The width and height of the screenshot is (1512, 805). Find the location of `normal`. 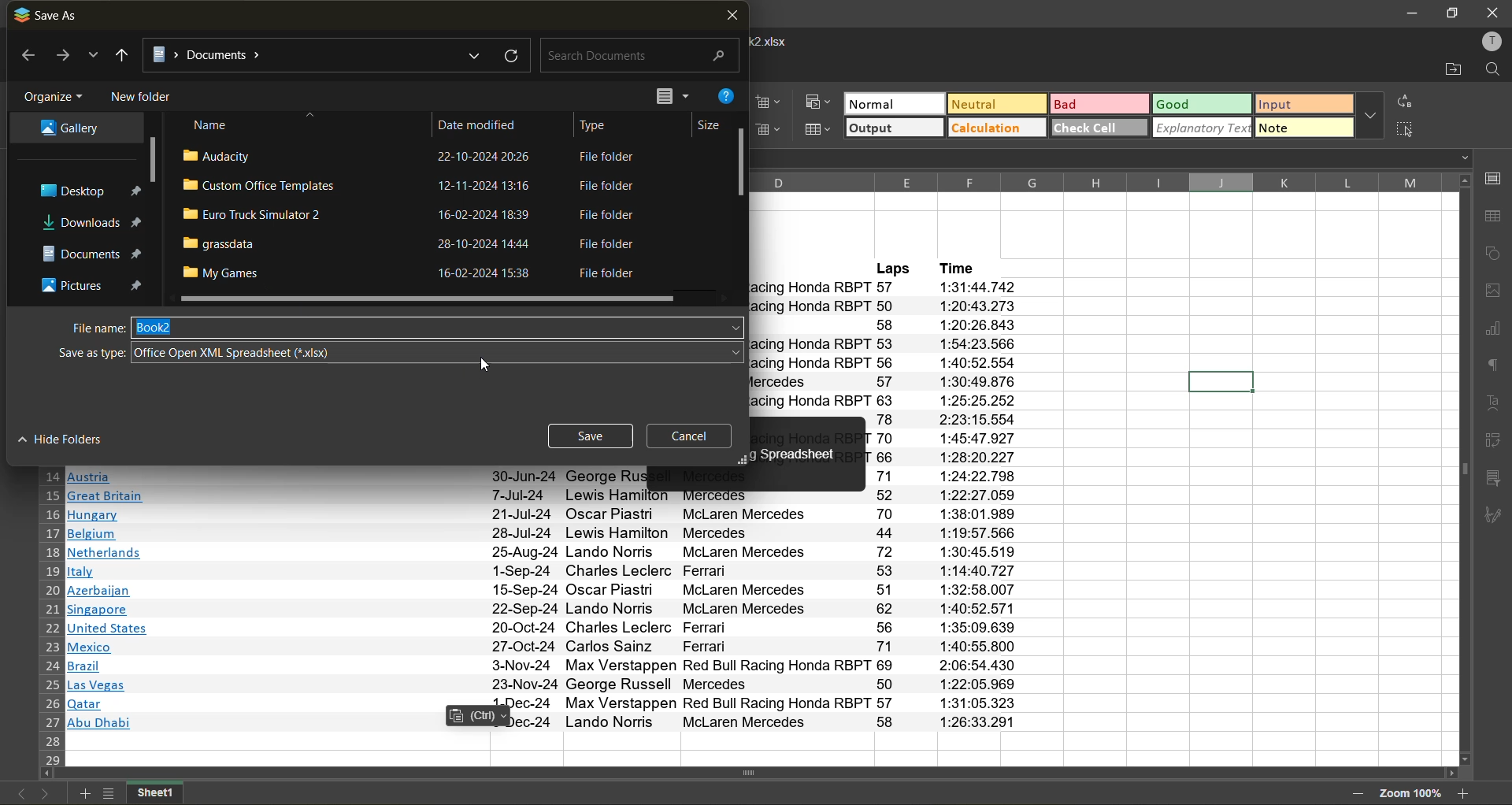

normal is located at coordinates (894, 102).